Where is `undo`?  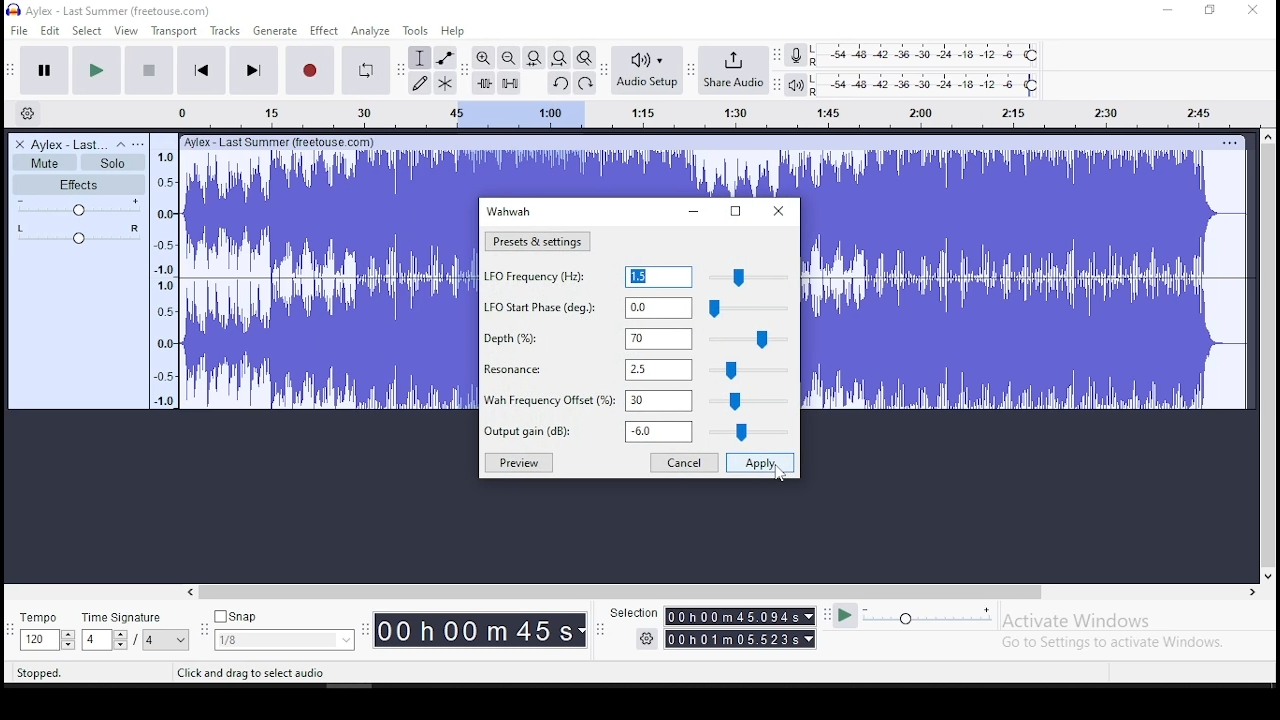 undo is located at coordinates (558, 83).